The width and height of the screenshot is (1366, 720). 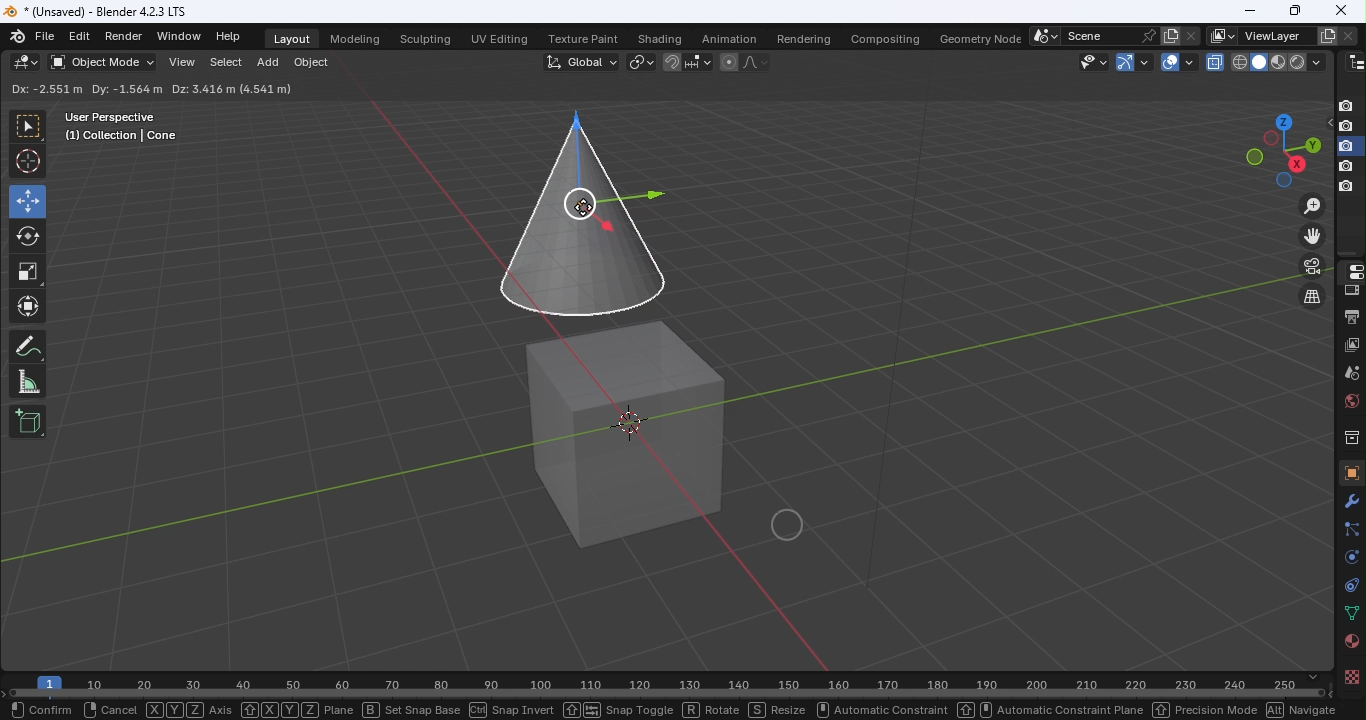 I want to click on Render, so click(x=127, y=36).